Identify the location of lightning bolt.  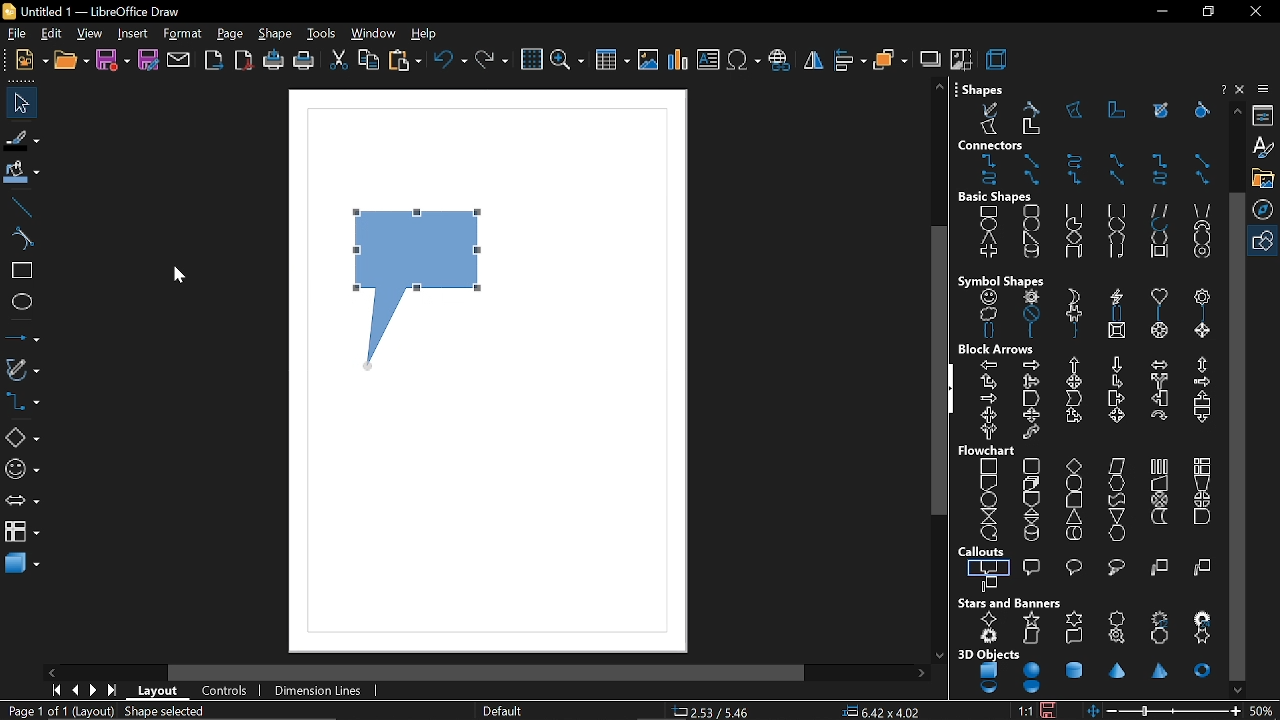
(1113, 298).